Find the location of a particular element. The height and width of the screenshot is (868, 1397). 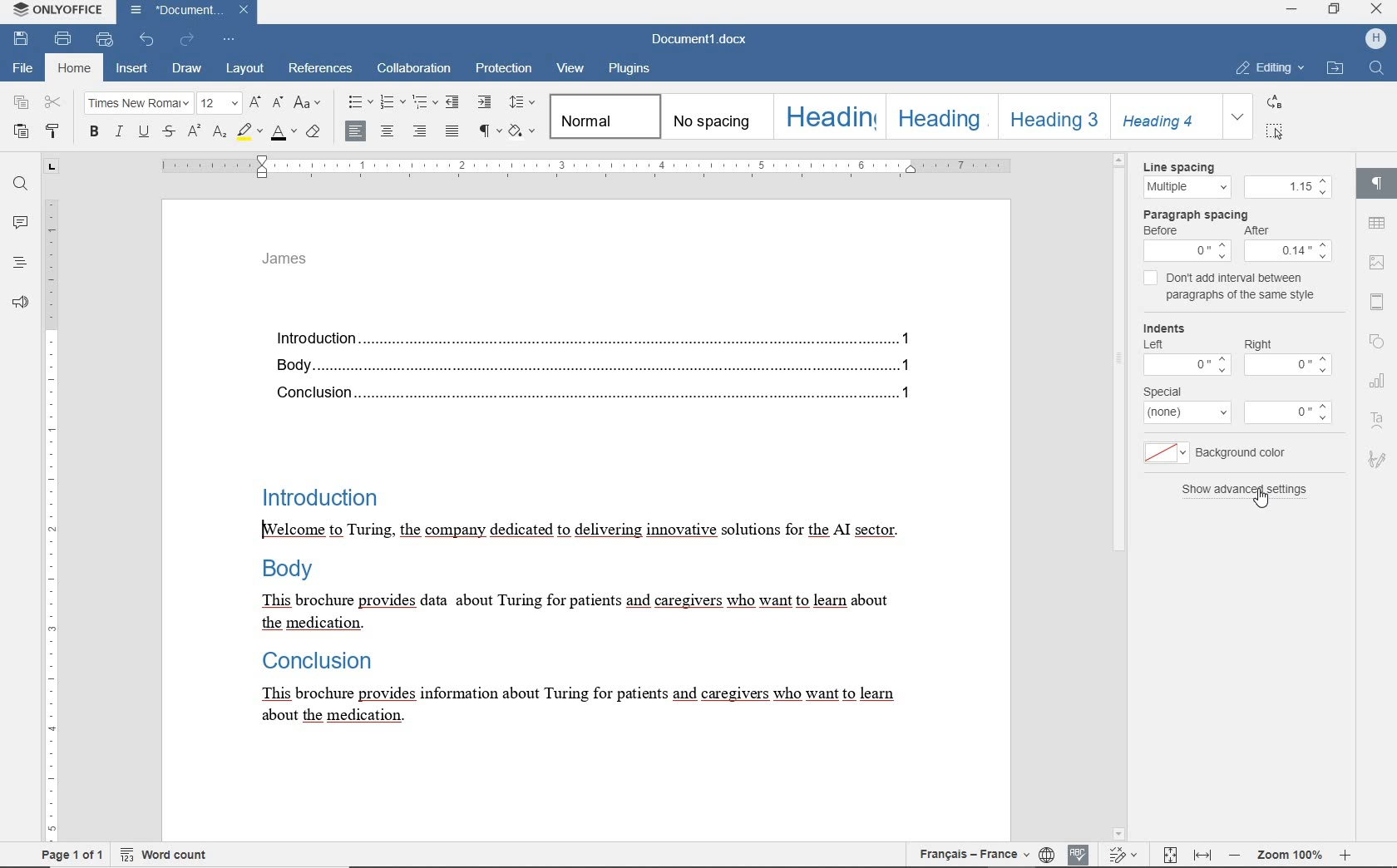

Introduction is located at coordinates (351, 498).